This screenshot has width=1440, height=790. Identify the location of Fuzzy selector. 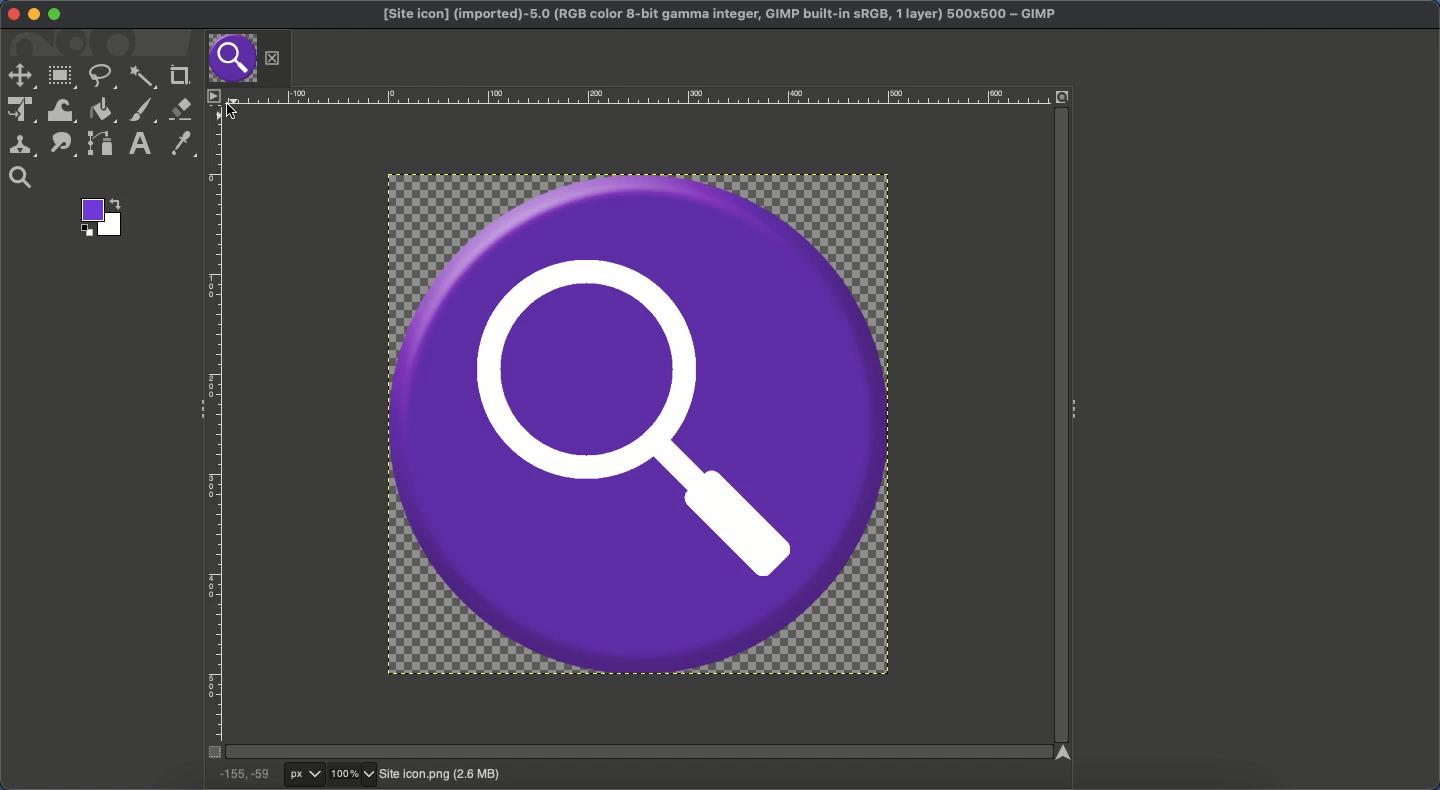
(142, 79).